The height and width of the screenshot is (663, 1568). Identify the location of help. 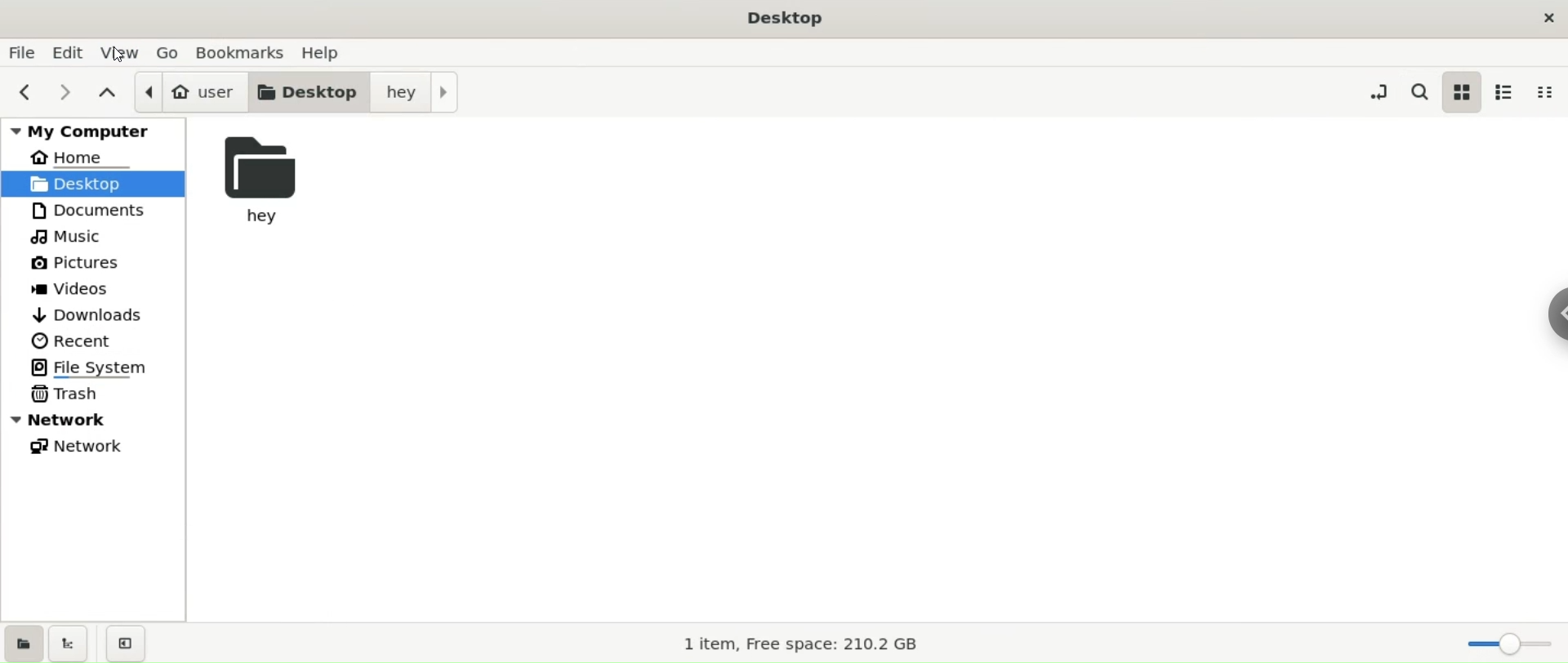
(331, 52).